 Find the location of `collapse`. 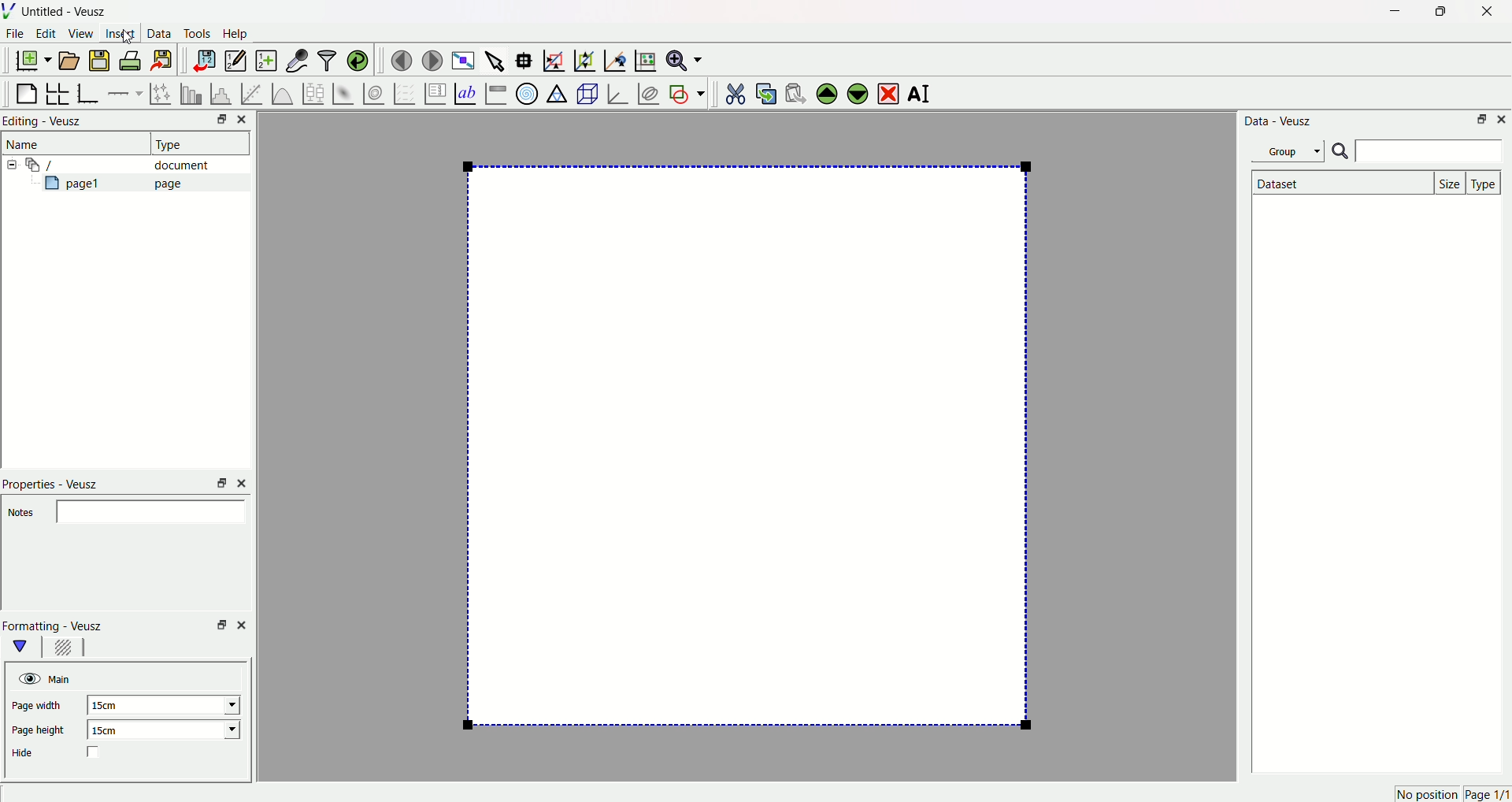

collapse is located at coordinates (14, 165).